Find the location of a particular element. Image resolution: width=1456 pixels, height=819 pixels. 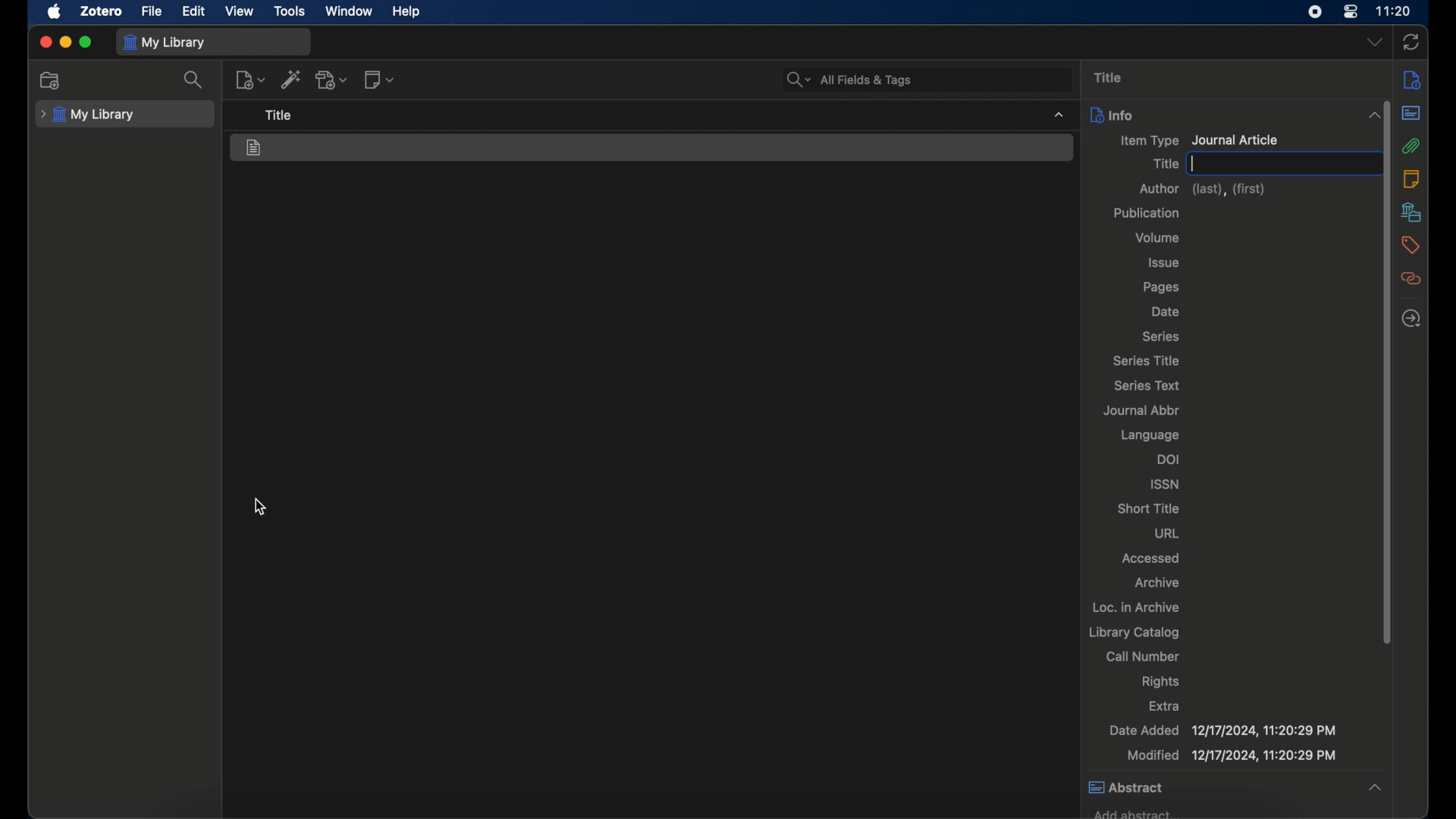

notes is located at coordinates (1410, 178).